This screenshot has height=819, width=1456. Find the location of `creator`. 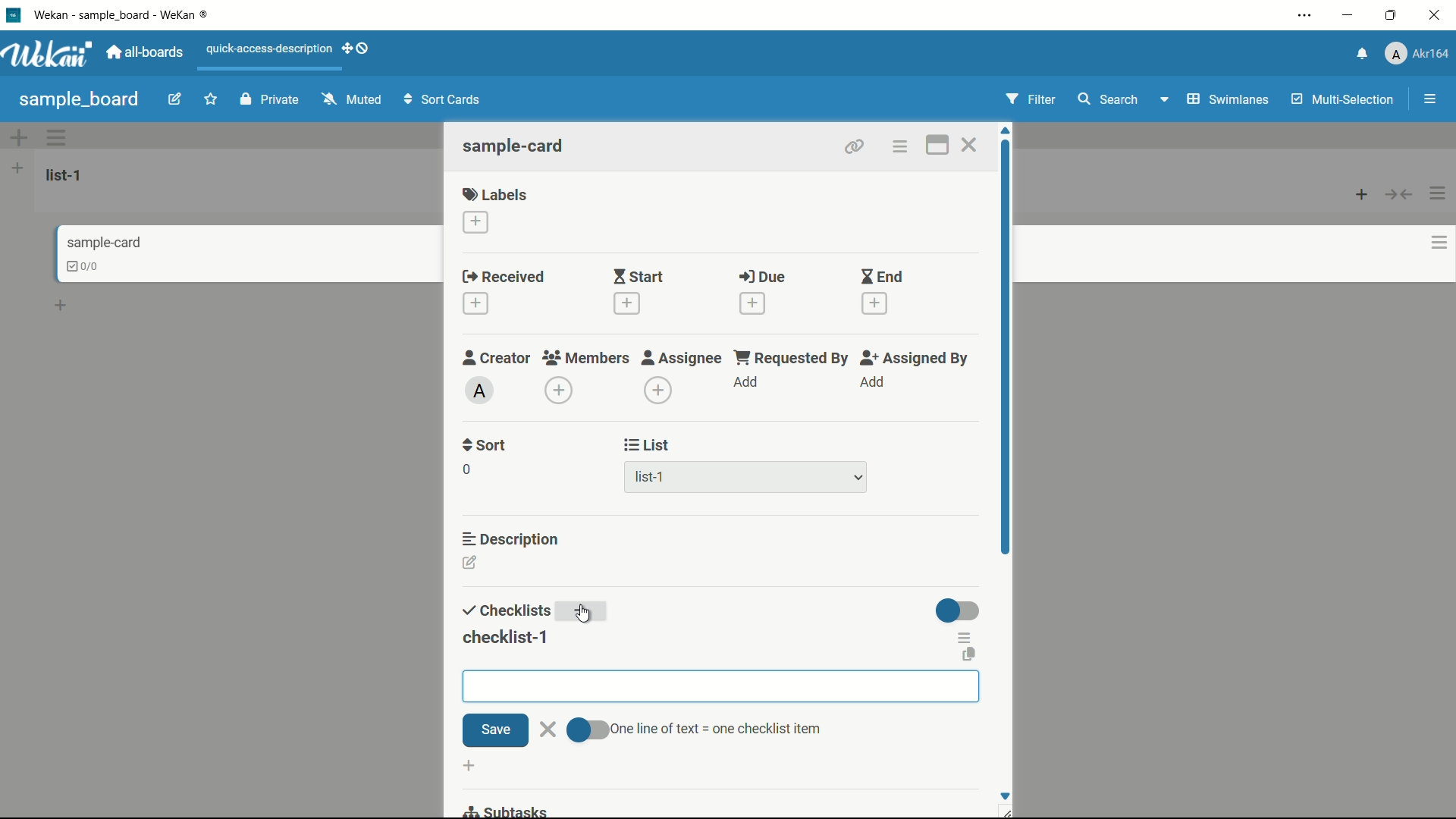

creator is located at coordinates (497, 357).